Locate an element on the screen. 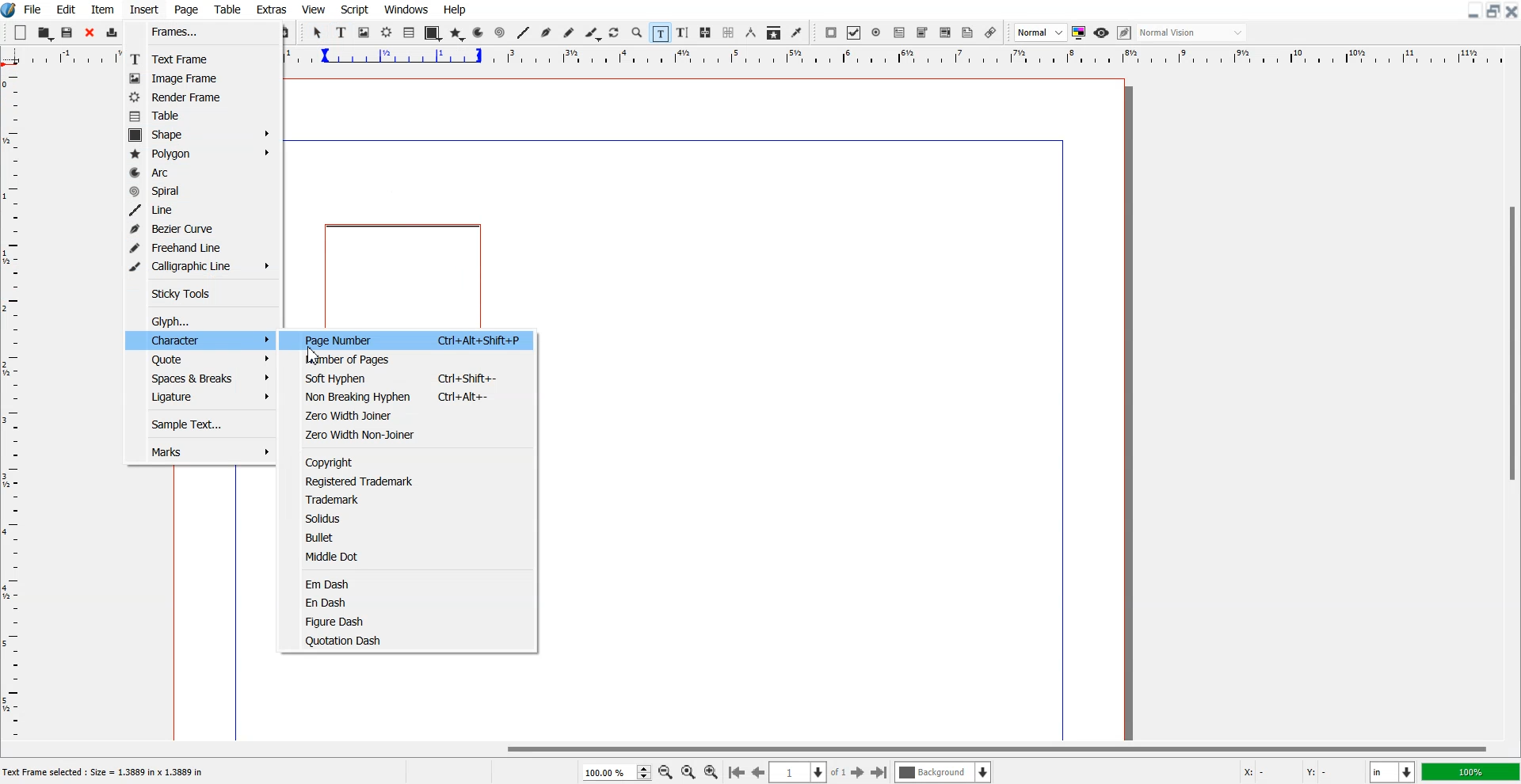 The width and height of the screenshot is (1521, 784). Table is located at coordinates (194, 116).